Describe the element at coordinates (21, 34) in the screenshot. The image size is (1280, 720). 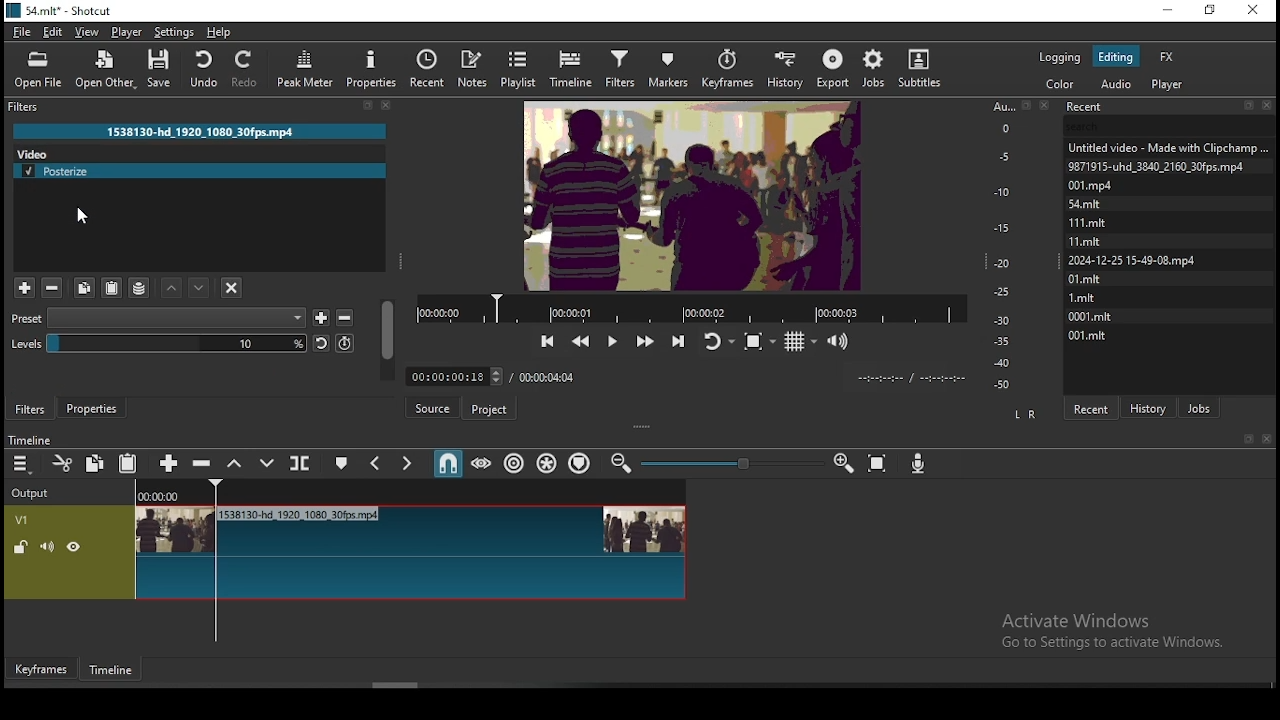
I see `file` at that location.